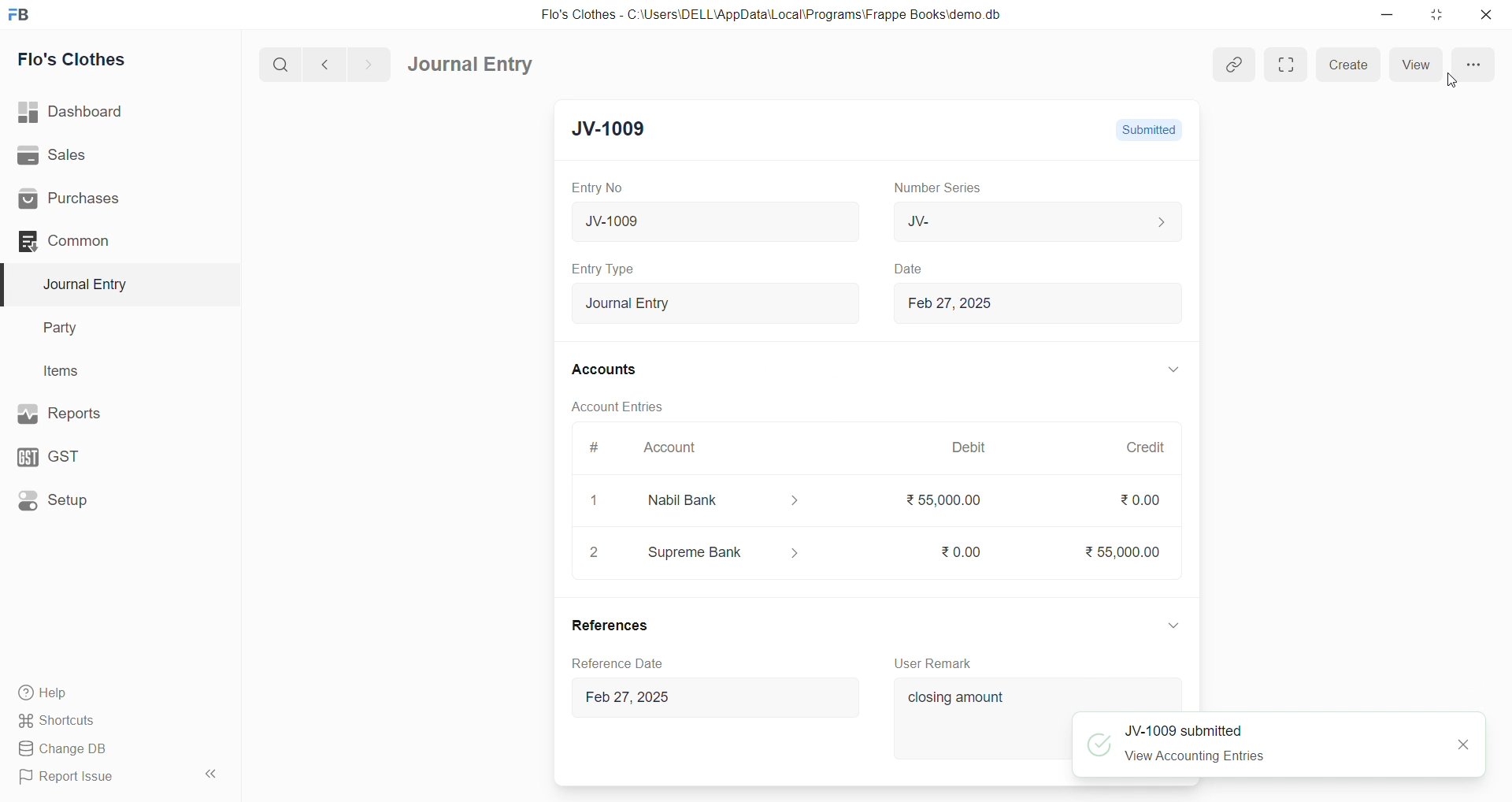 This screenshot has width=1512, height=802. I want to click on JV-1009, so click(713, 221).